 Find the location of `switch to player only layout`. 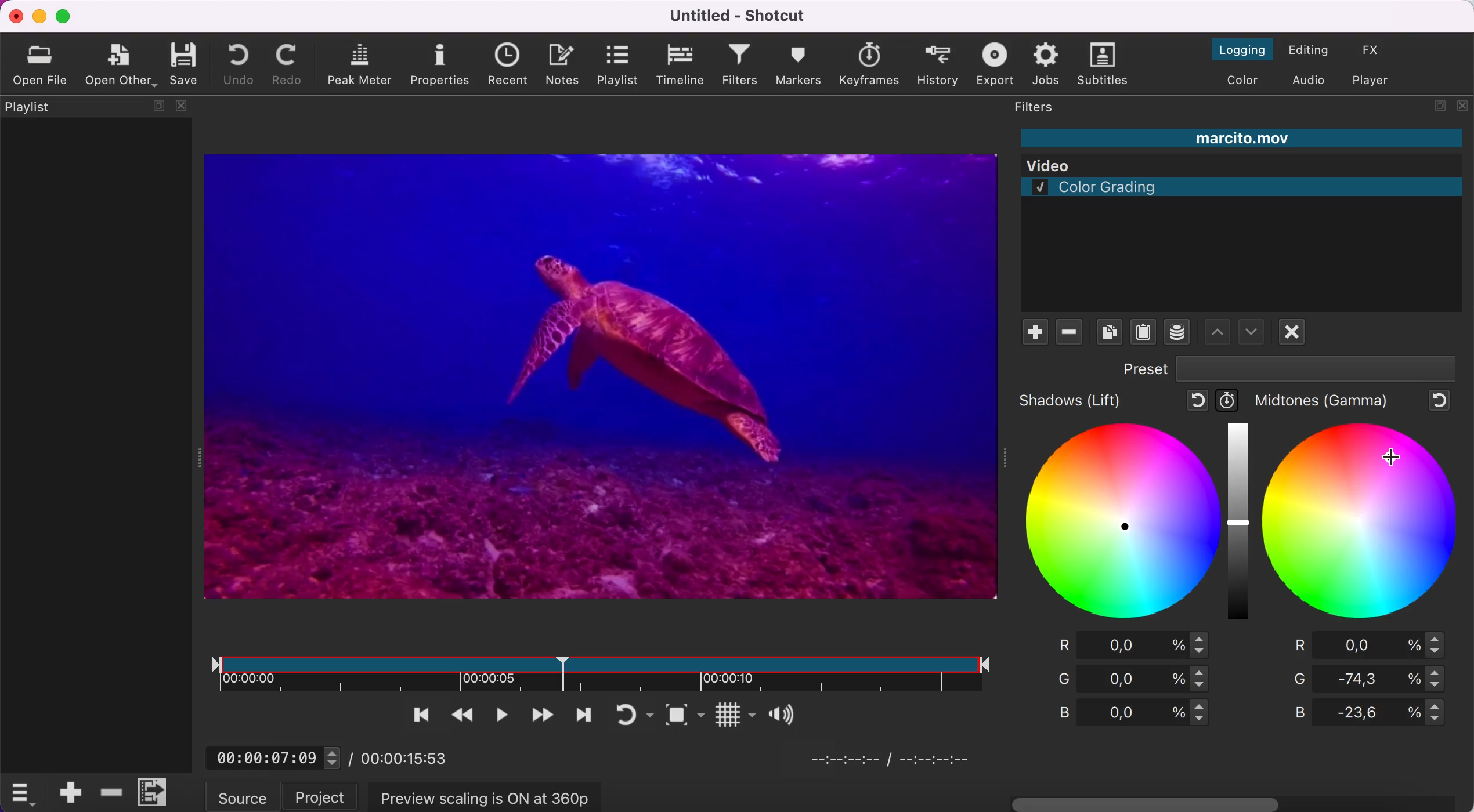

switch to player only layout is located at coordinates (1380, 79).